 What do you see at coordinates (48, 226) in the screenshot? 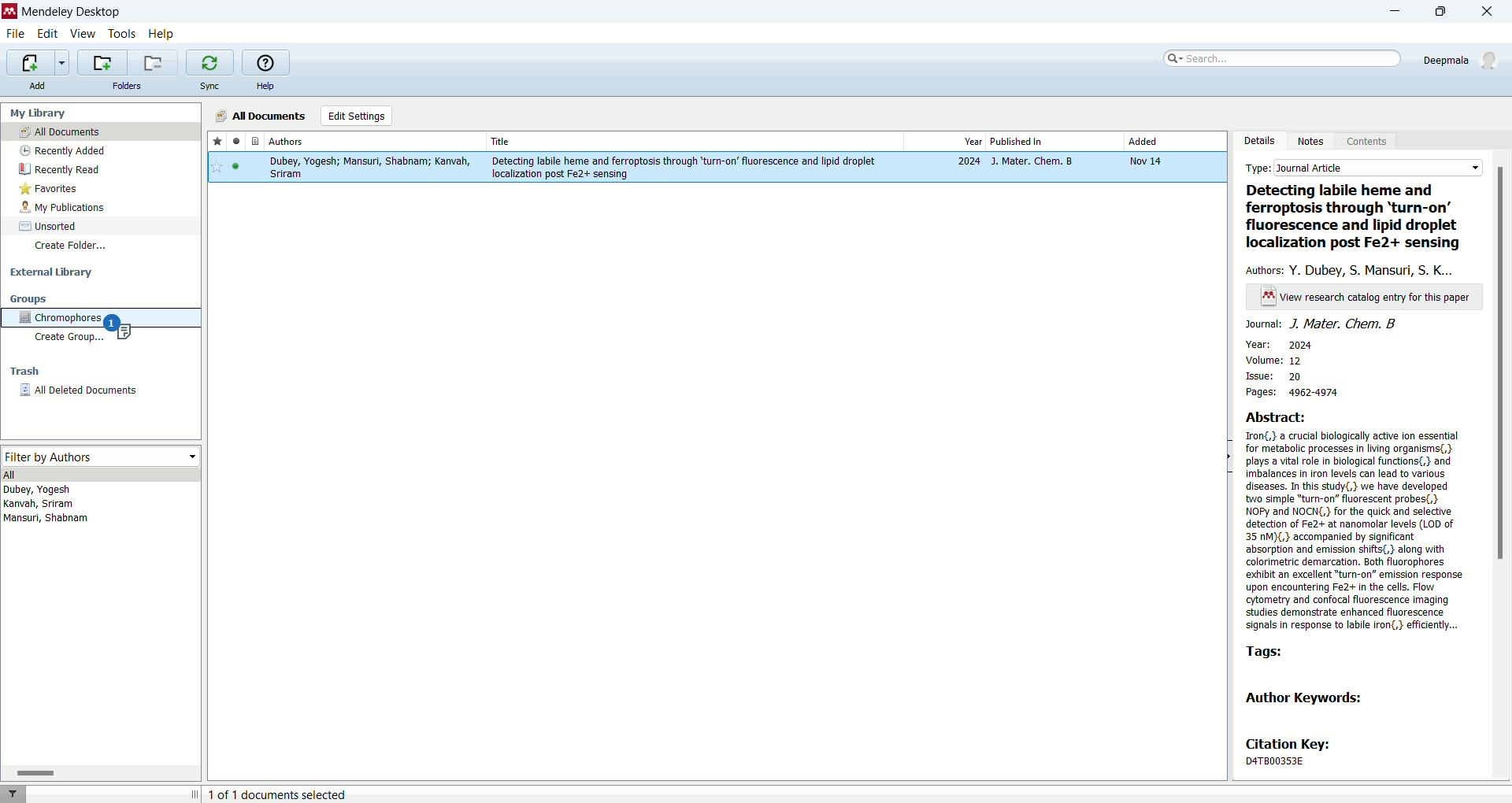
I see `unsorted` at bounding box center [48, 226].